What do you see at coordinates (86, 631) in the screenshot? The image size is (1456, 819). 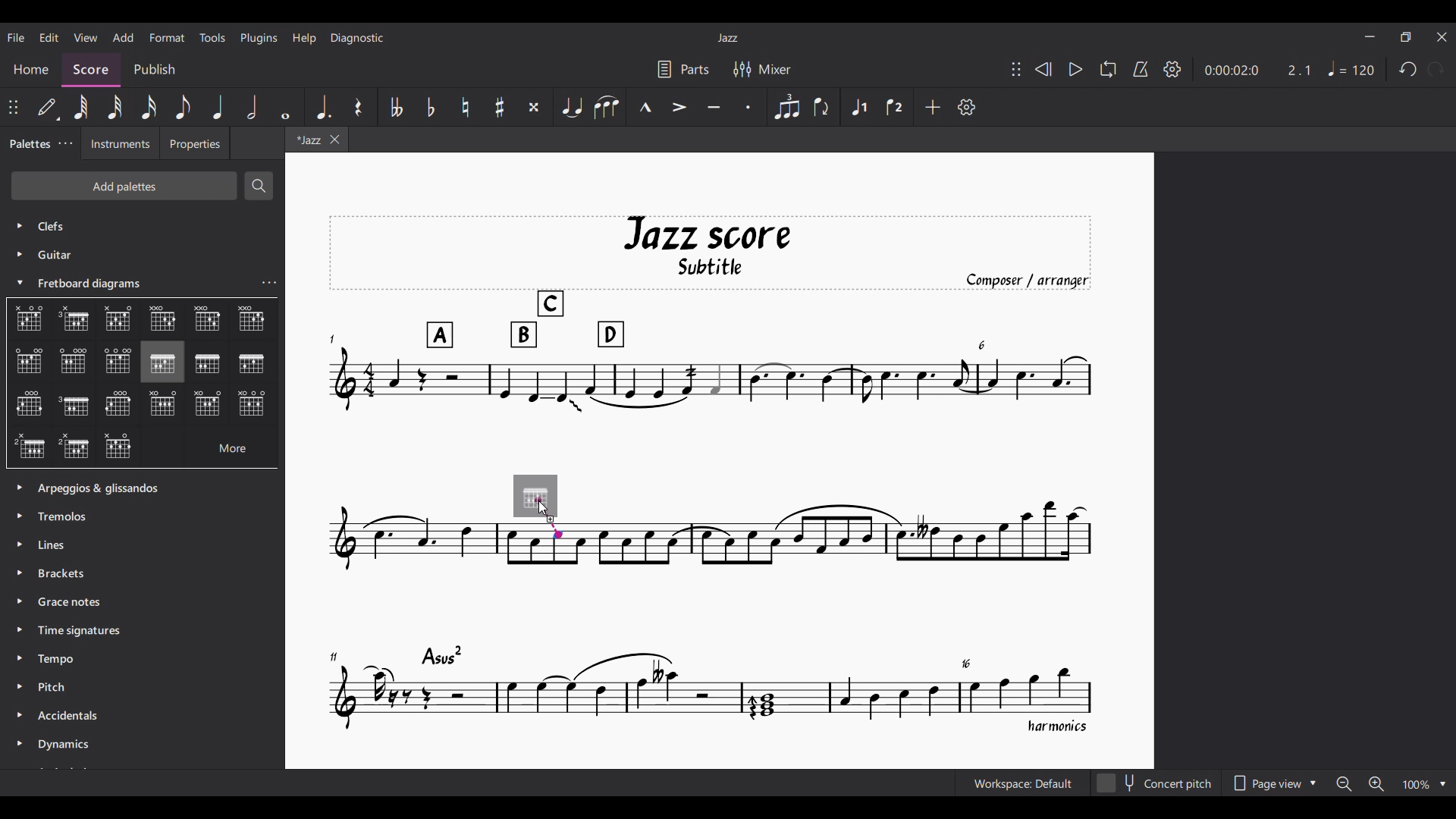 I see `Time` at bounding box center [86, 631].